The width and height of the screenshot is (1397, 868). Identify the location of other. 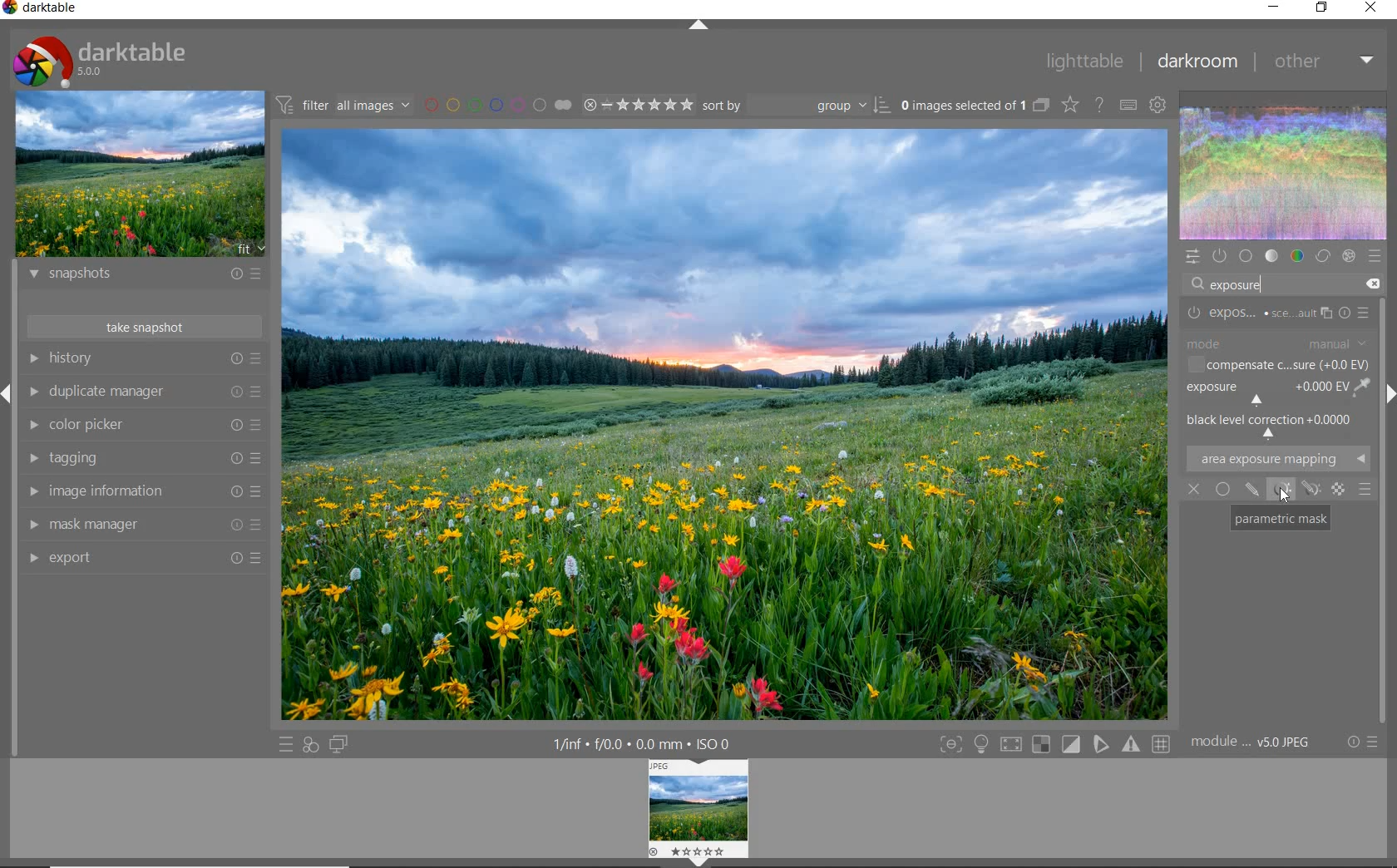
(1325, 63).